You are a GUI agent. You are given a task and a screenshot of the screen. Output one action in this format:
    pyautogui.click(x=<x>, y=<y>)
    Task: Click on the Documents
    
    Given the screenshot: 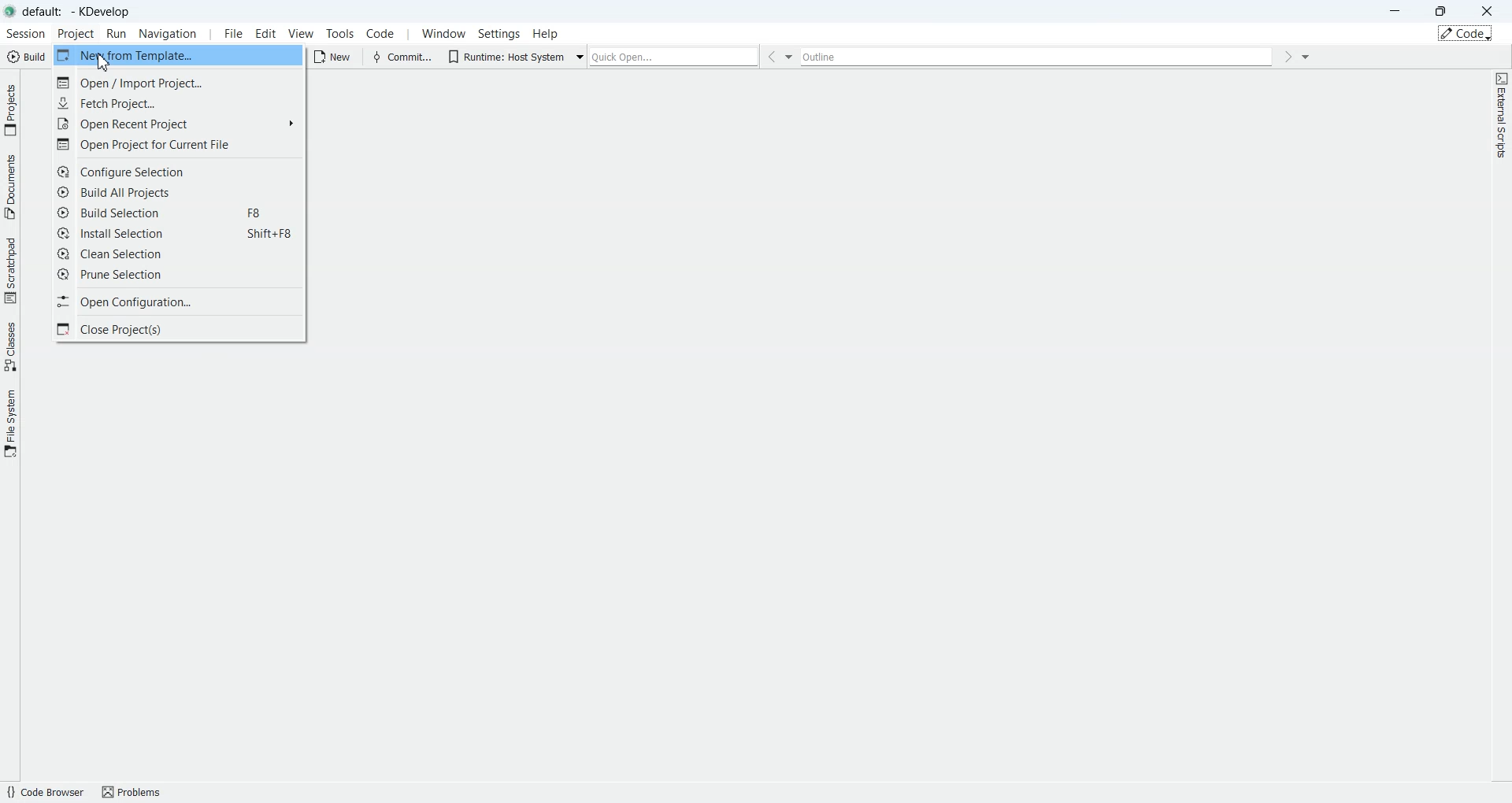 What is the action you would take?
    pyautogui.click(x=10, y=185)
    